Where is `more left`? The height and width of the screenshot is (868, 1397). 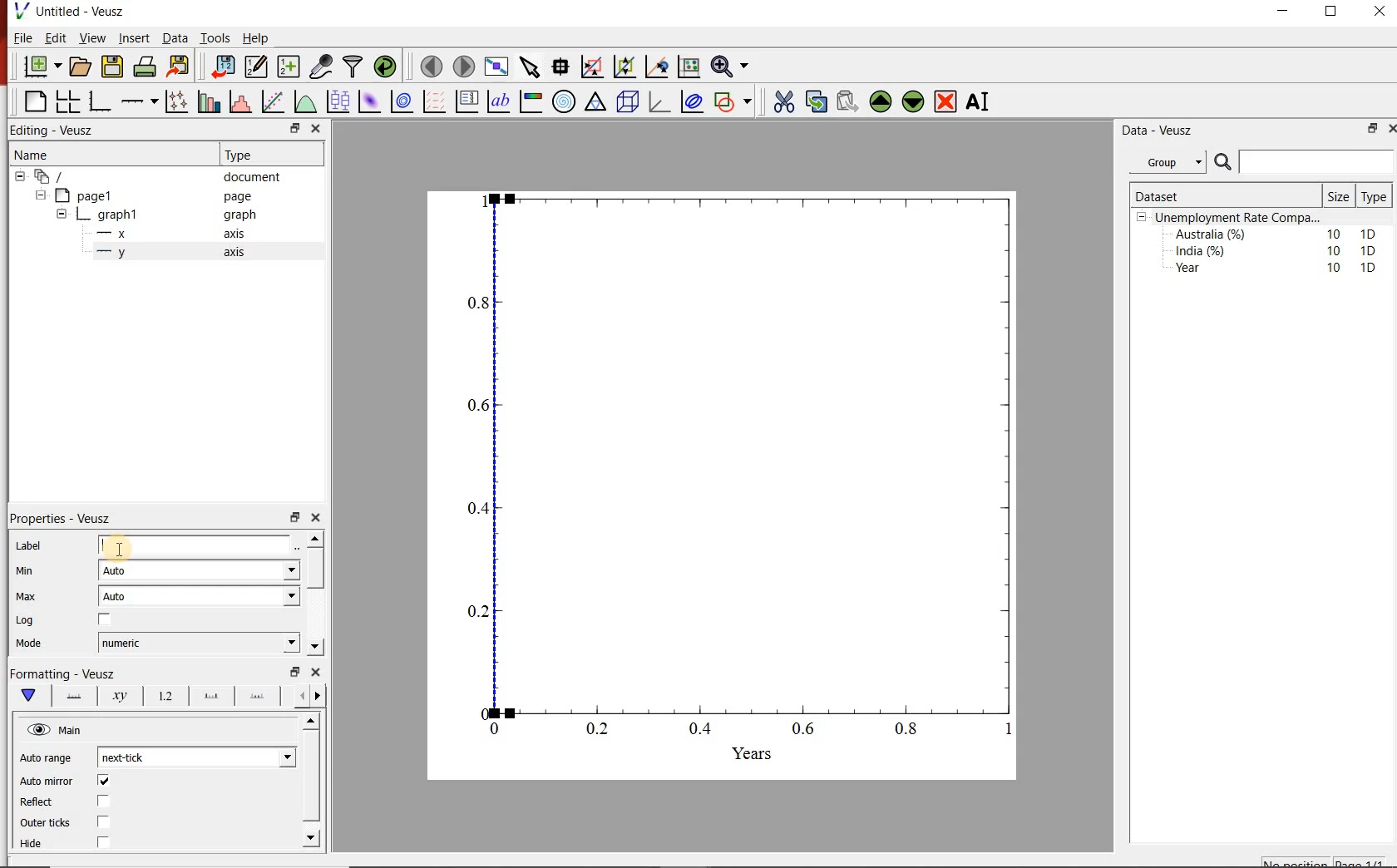 more left is located at coordinates (299, 695).